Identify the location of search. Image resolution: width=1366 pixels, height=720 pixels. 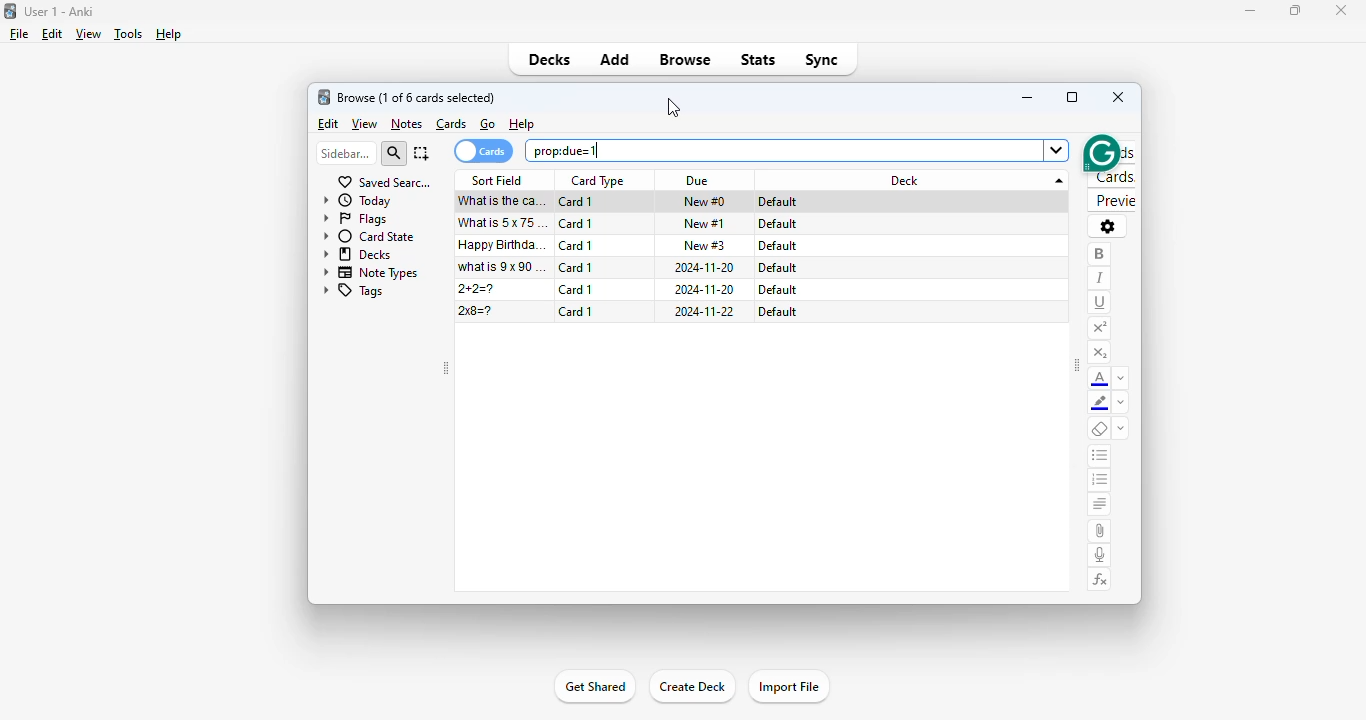
(394, 153).